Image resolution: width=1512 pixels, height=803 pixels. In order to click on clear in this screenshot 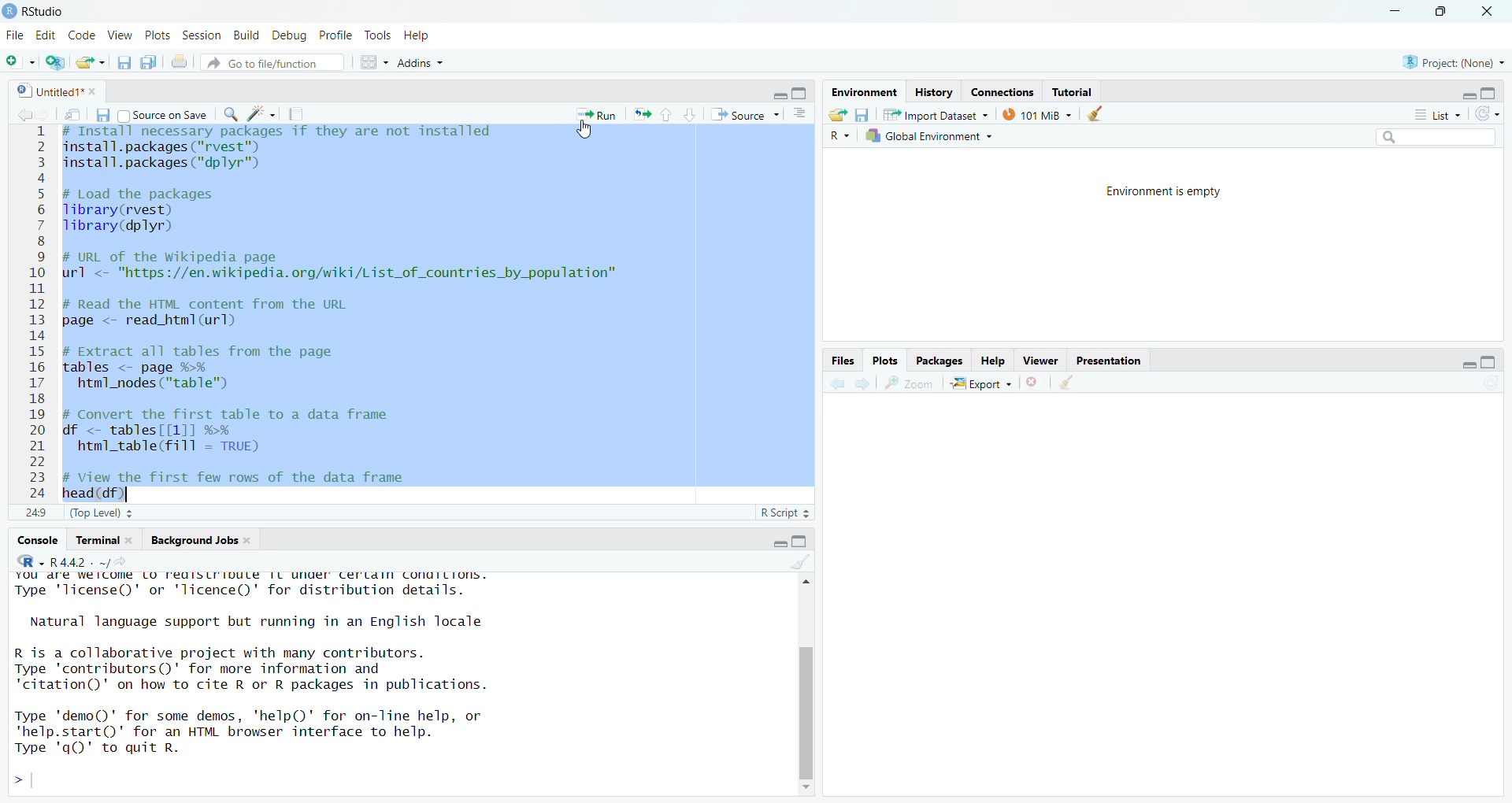, I will do `click(1095, 113)`.